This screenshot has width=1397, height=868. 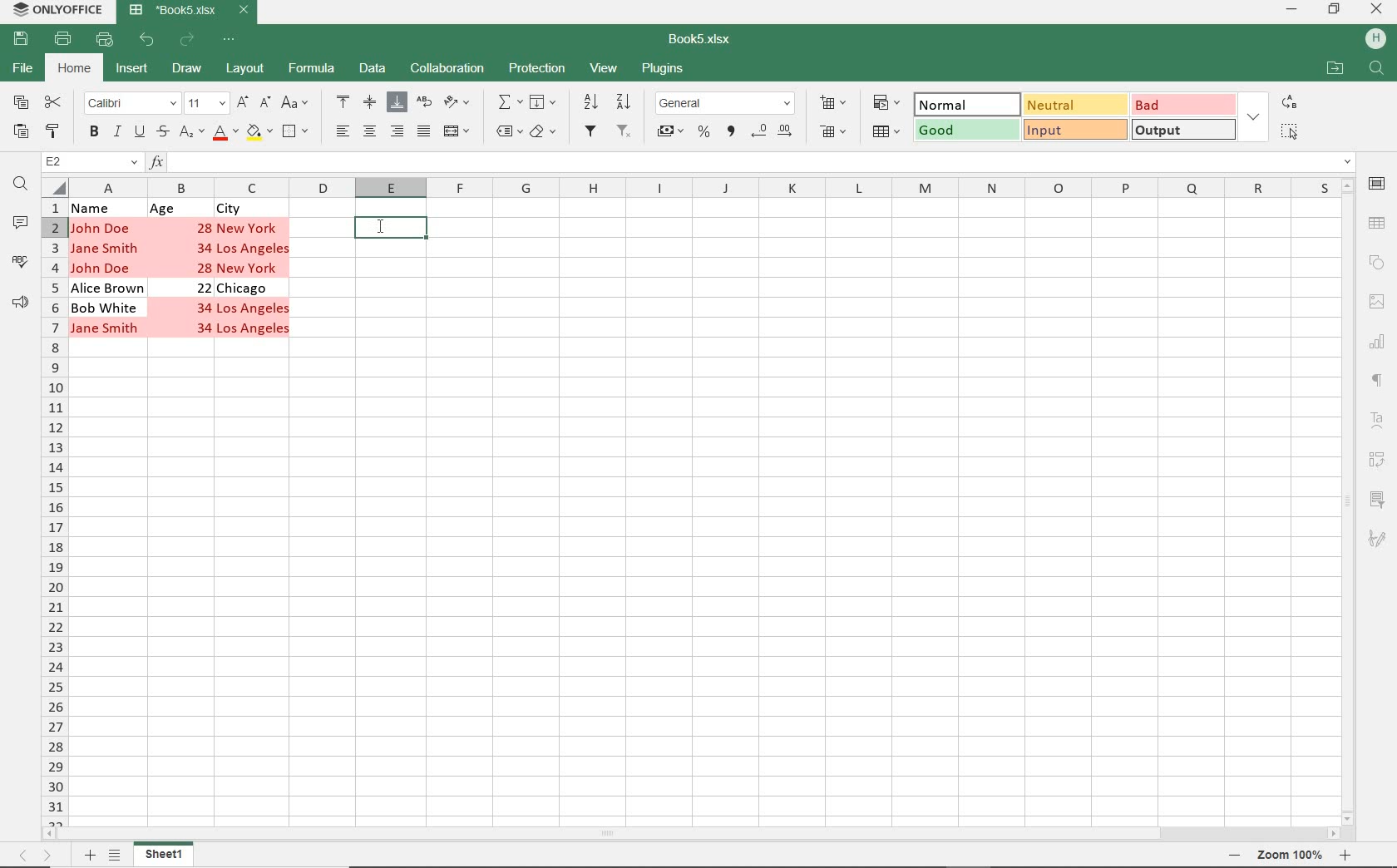 I want to click on ITALIC, so click(x=117, y=133).